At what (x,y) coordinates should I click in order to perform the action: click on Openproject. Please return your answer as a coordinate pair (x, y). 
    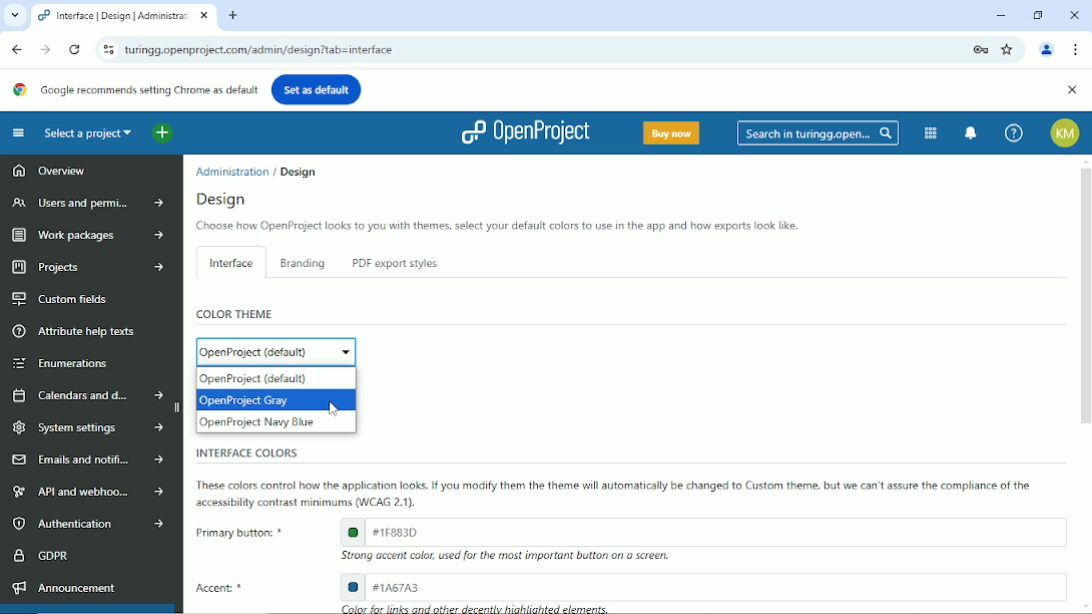
    Looking at the image, I should click on (524, 132).